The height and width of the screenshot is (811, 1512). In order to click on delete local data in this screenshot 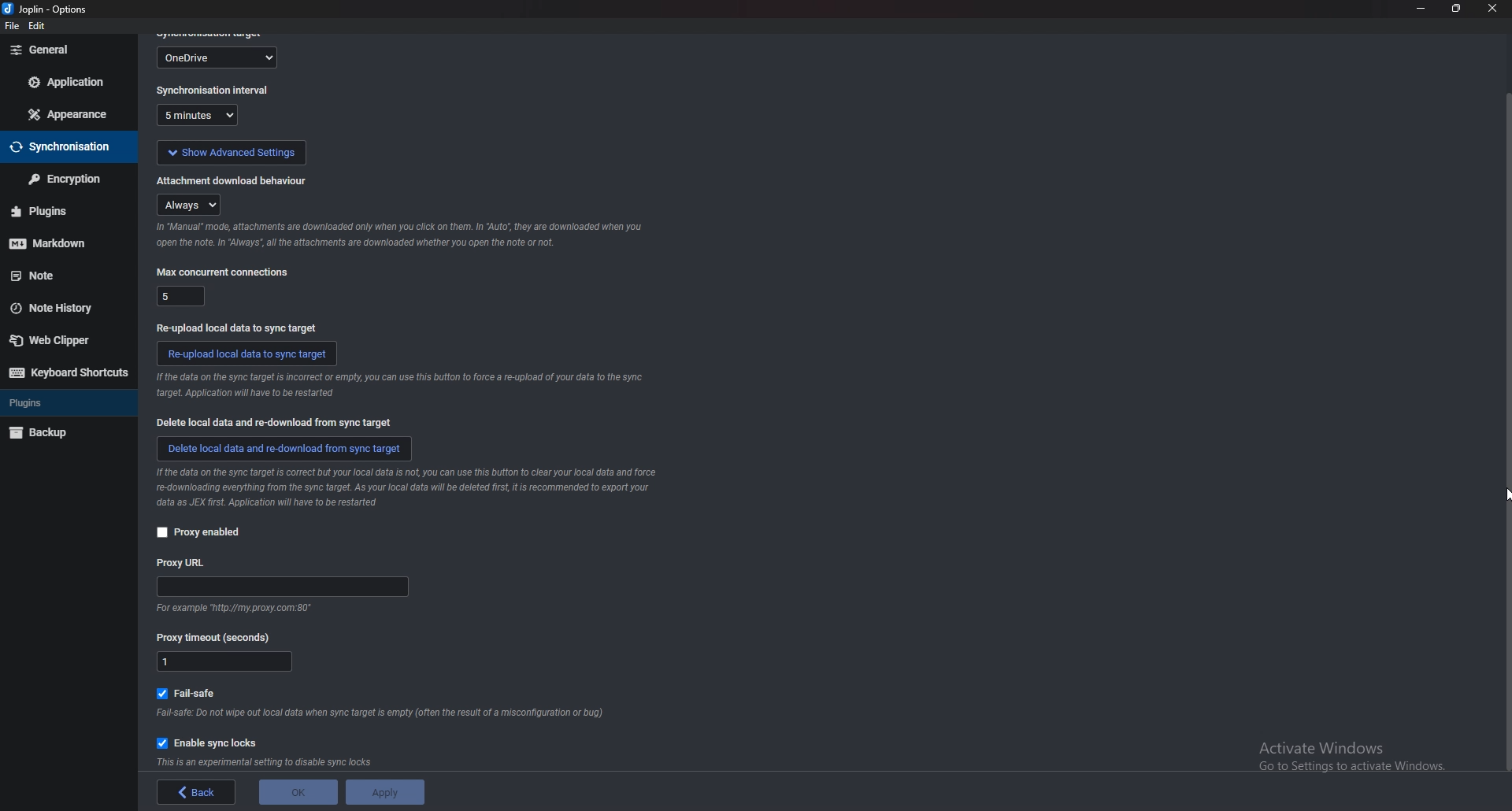, I will do `click(279, 423)`.